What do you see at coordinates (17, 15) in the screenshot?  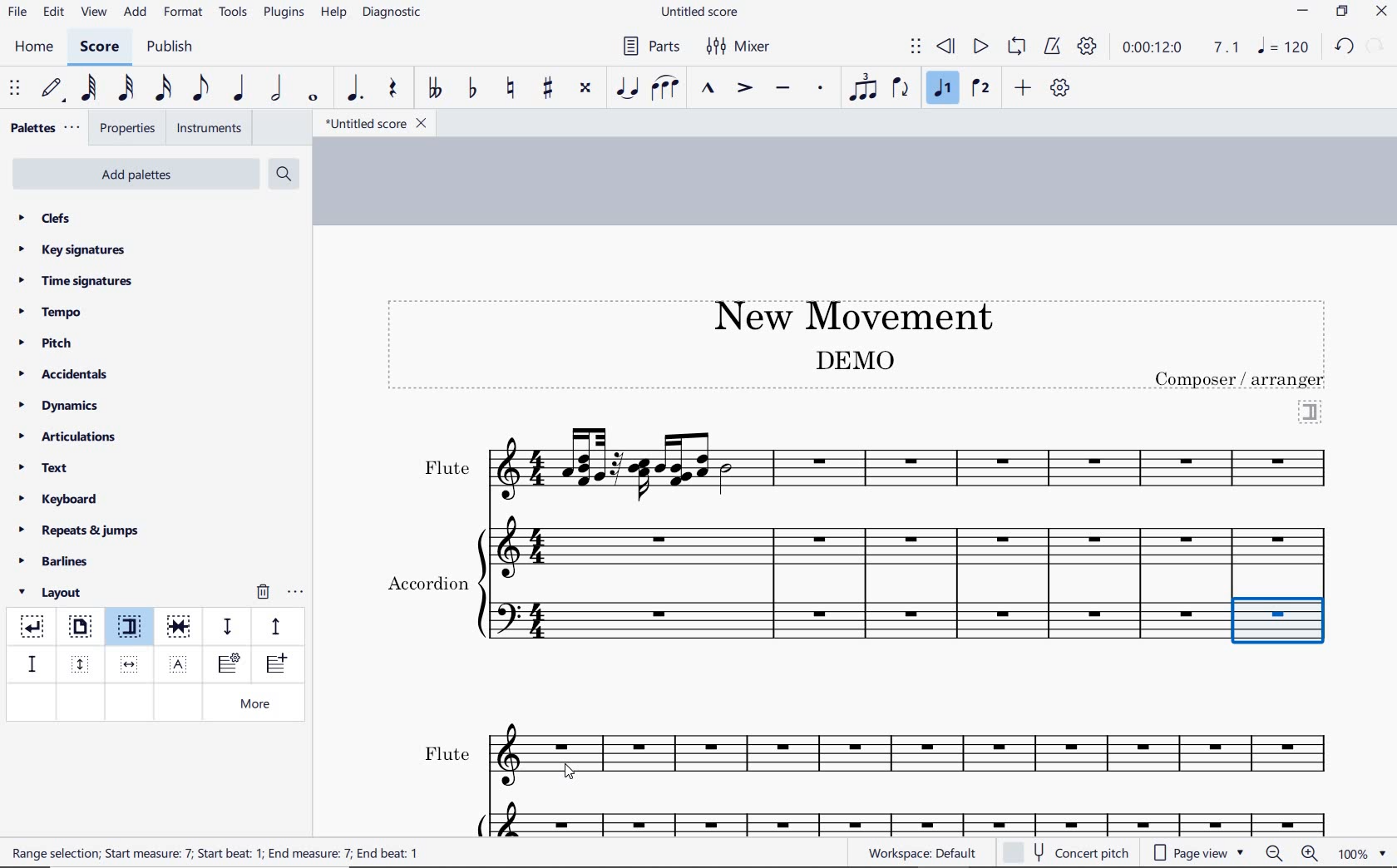 I see `file` at bounding box center [17, 15].